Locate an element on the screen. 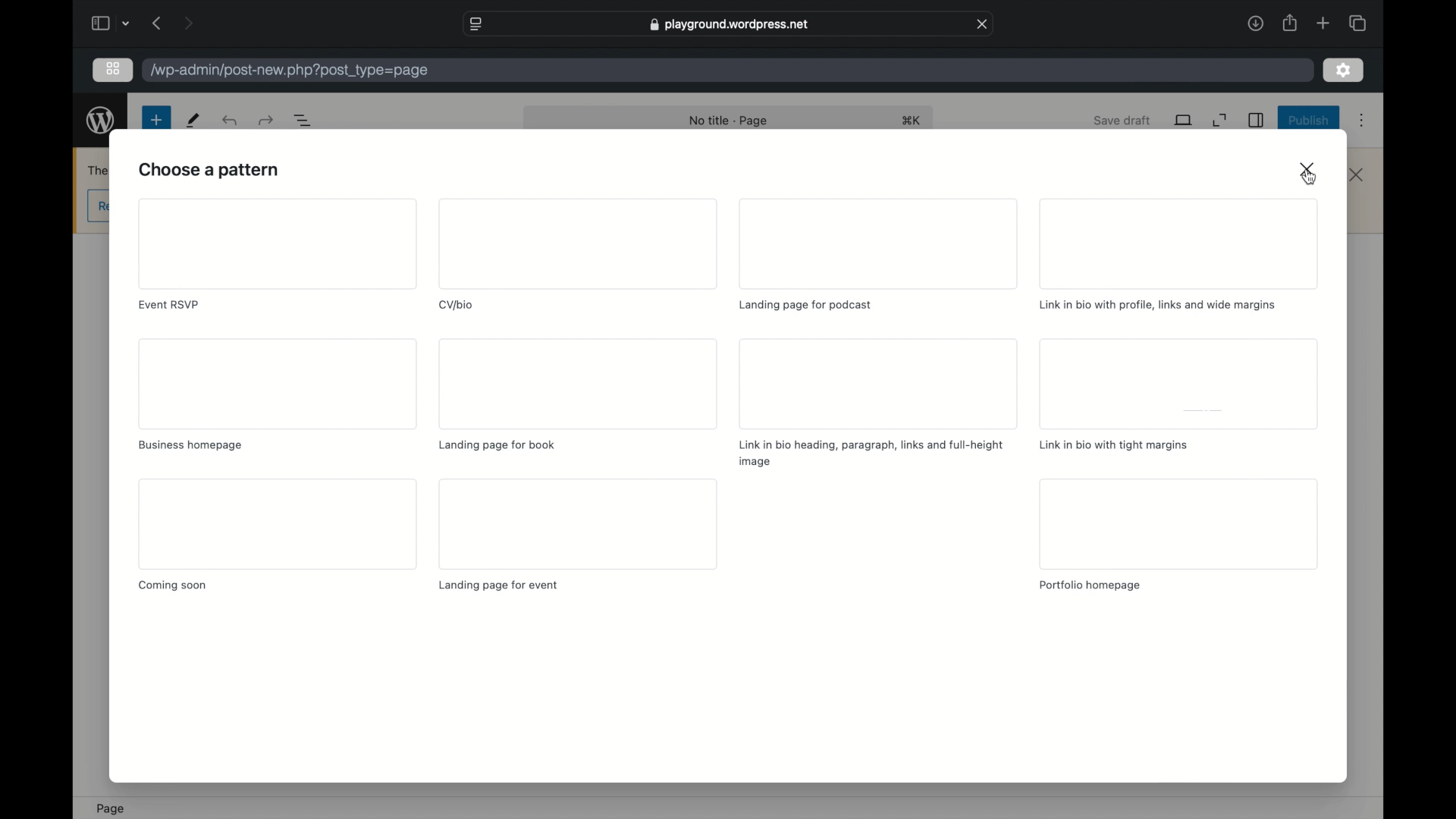  tools is located at coordinates (192, 121).